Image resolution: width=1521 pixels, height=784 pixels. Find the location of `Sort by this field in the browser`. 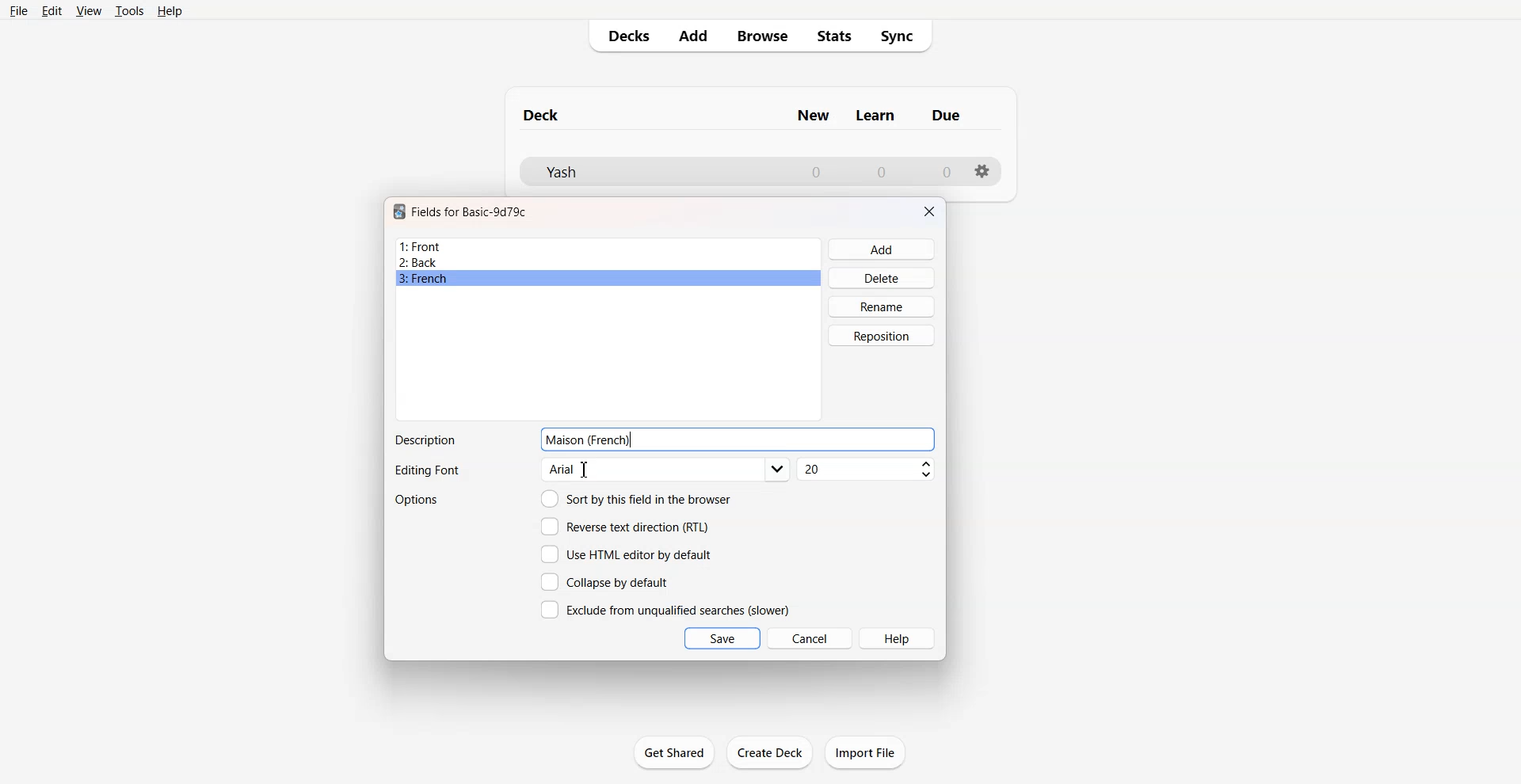

Sort by this field in the browser is located at coordinates (636, 498).